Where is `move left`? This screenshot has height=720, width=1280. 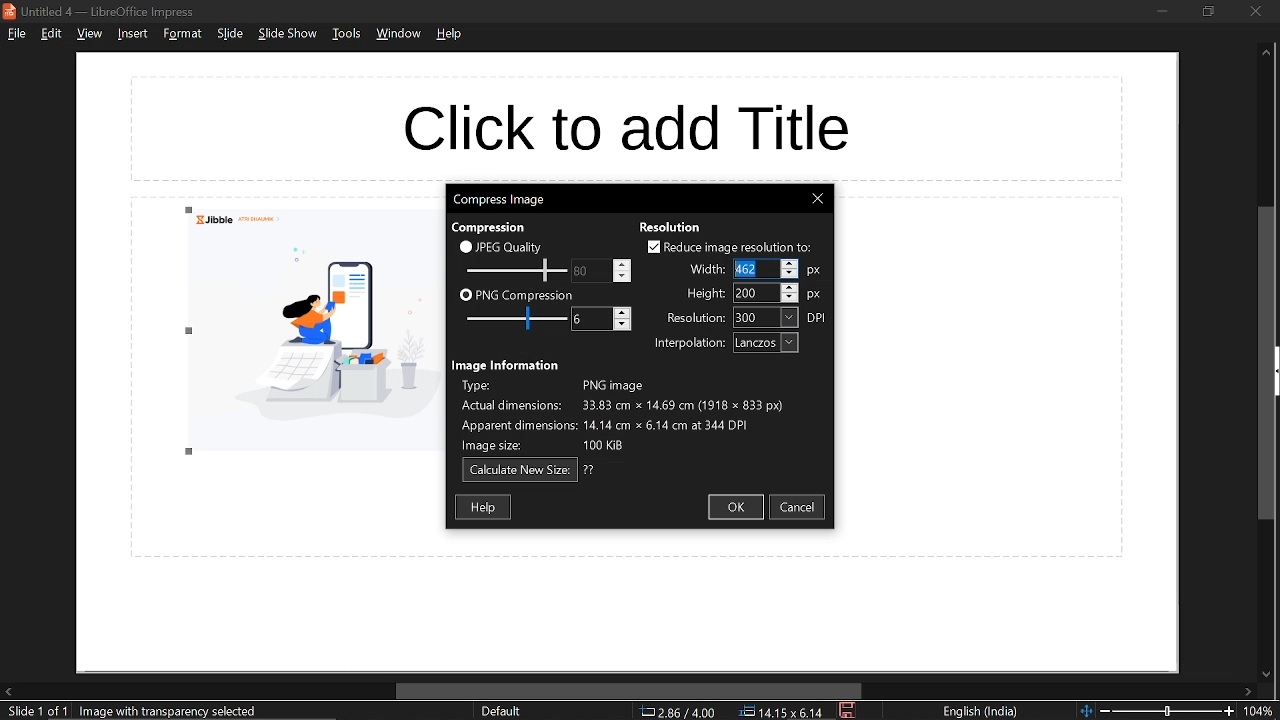
move left is located at coordinates (8, 691).